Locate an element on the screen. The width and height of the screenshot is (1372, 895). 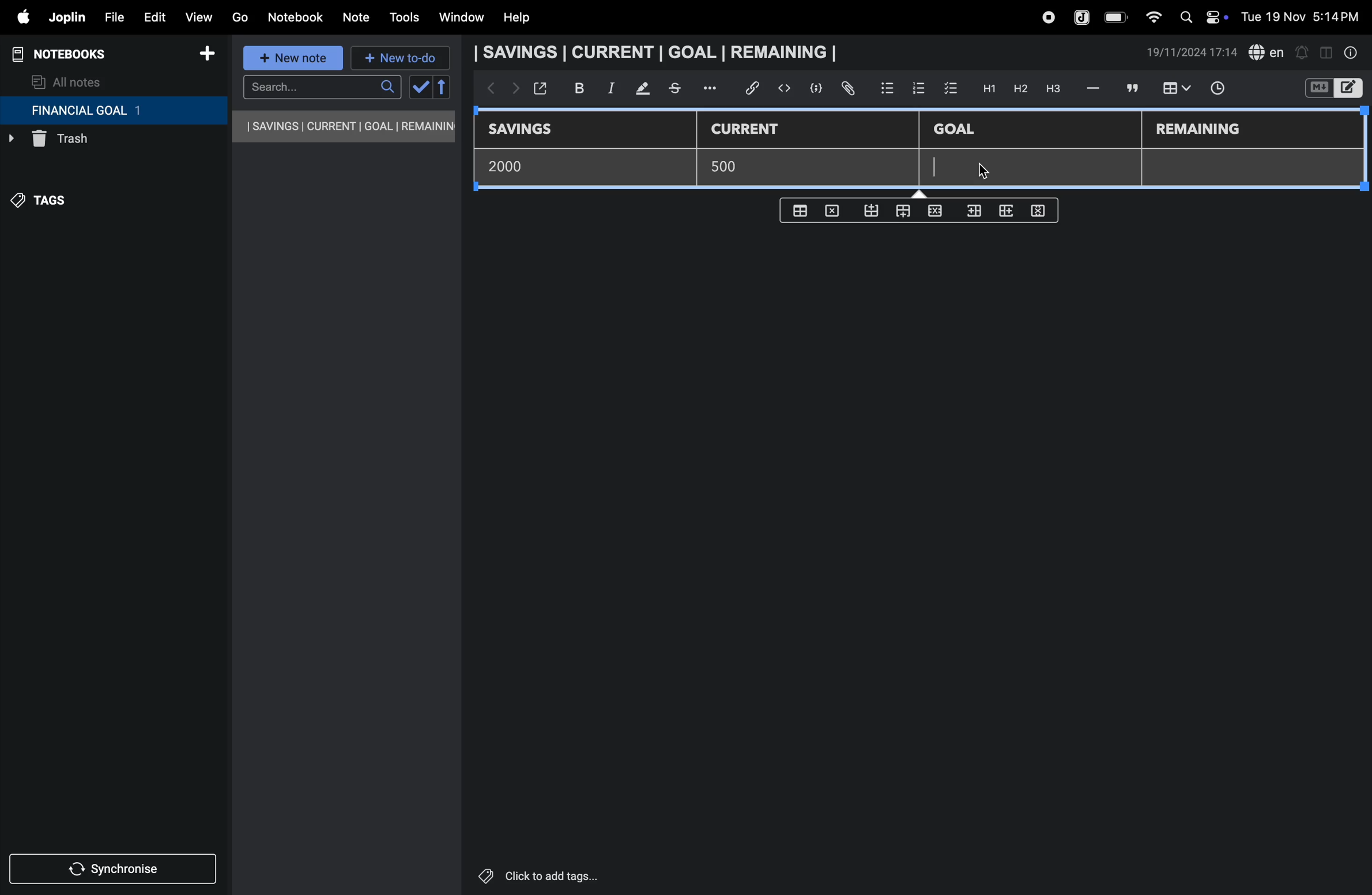
view is located at coordinates (198, 14).